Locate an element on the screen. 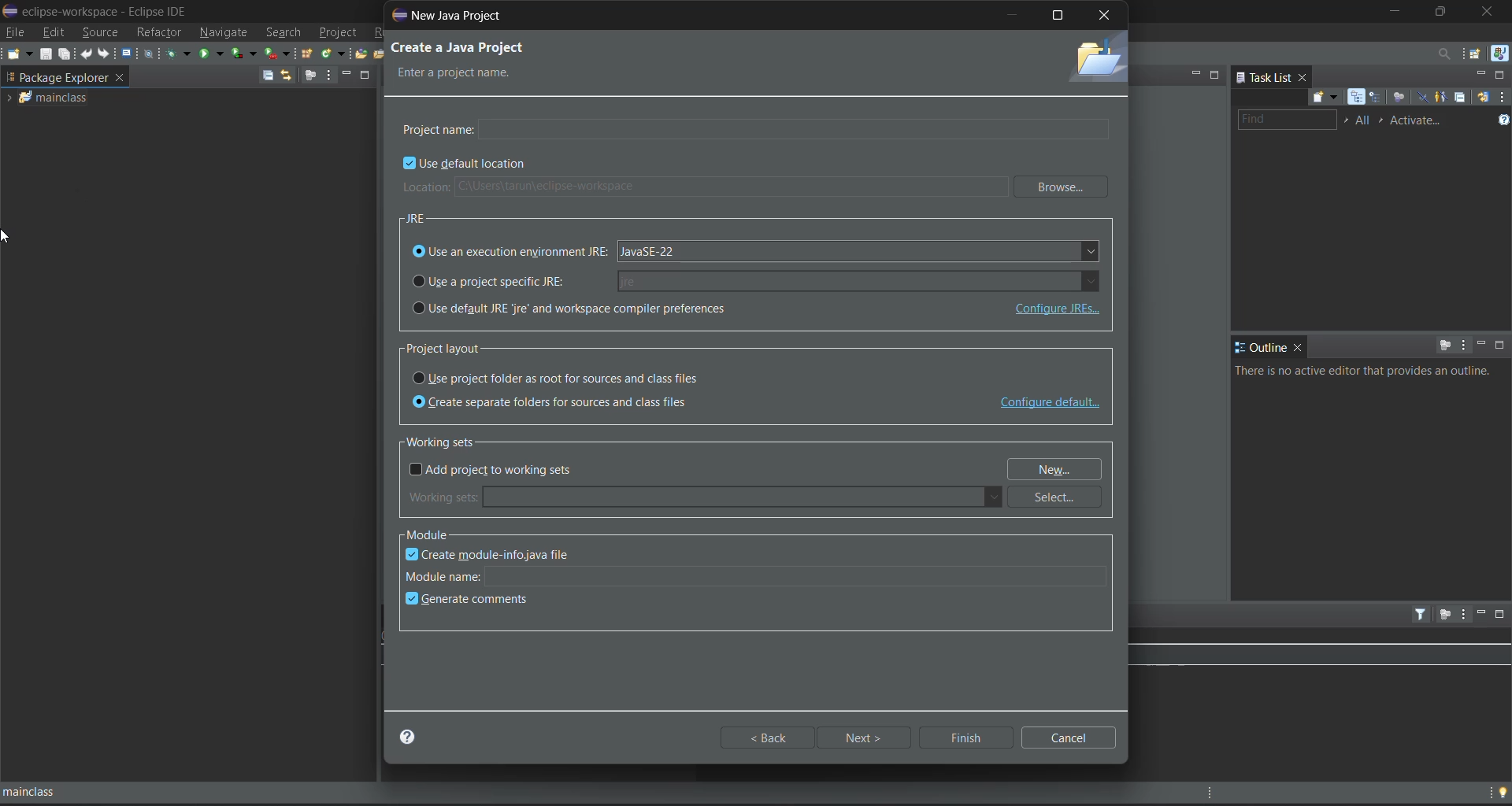 Image resolution: width=1512 pixels, height=806 pixels. back is located at coordinates (769, 737).